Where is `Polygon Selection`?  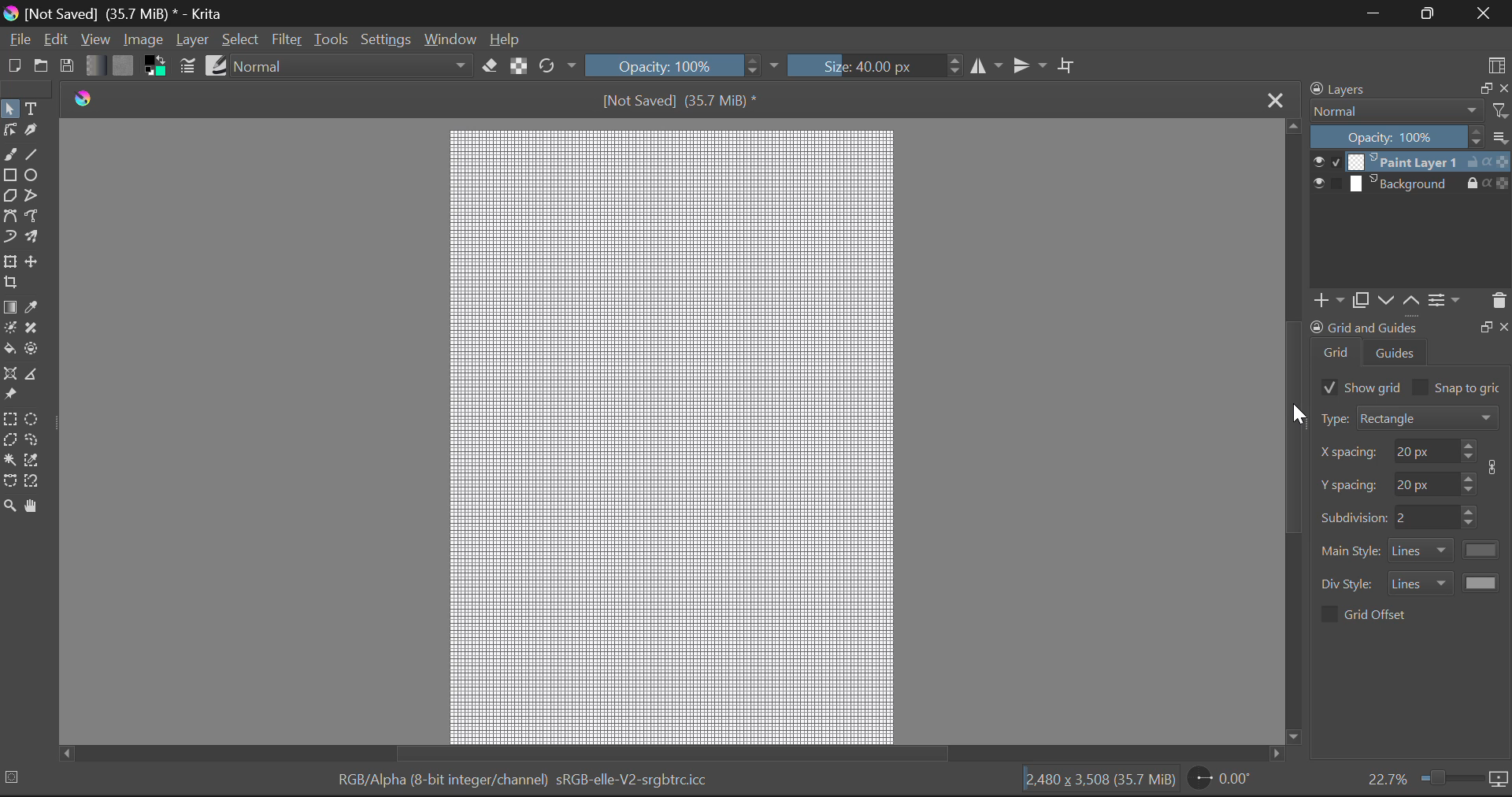 Polygon Selection is located at coordinates (9, 442).